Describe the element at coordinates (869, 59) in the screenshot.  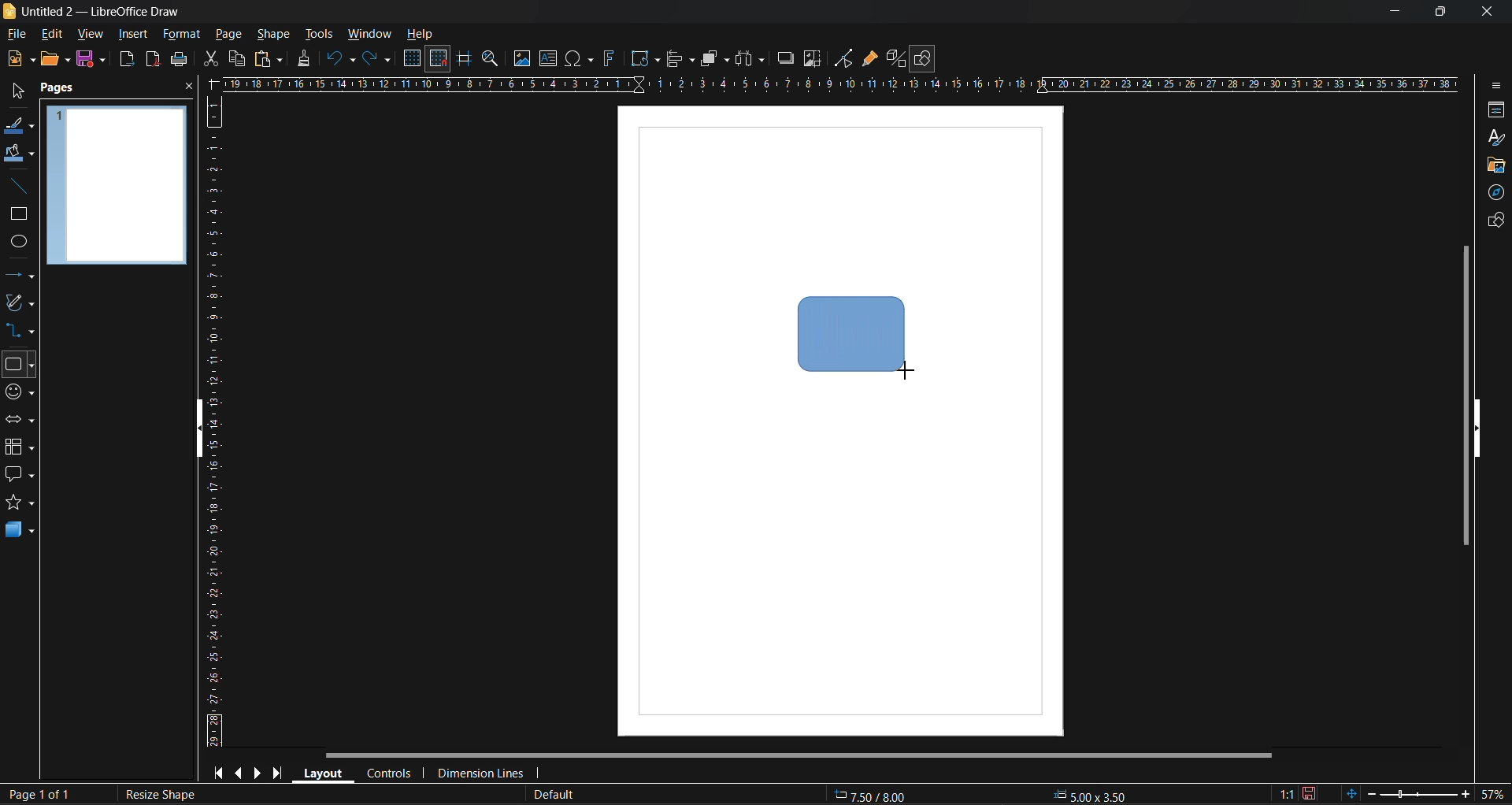
I see `show gluepoint functions` at that location.